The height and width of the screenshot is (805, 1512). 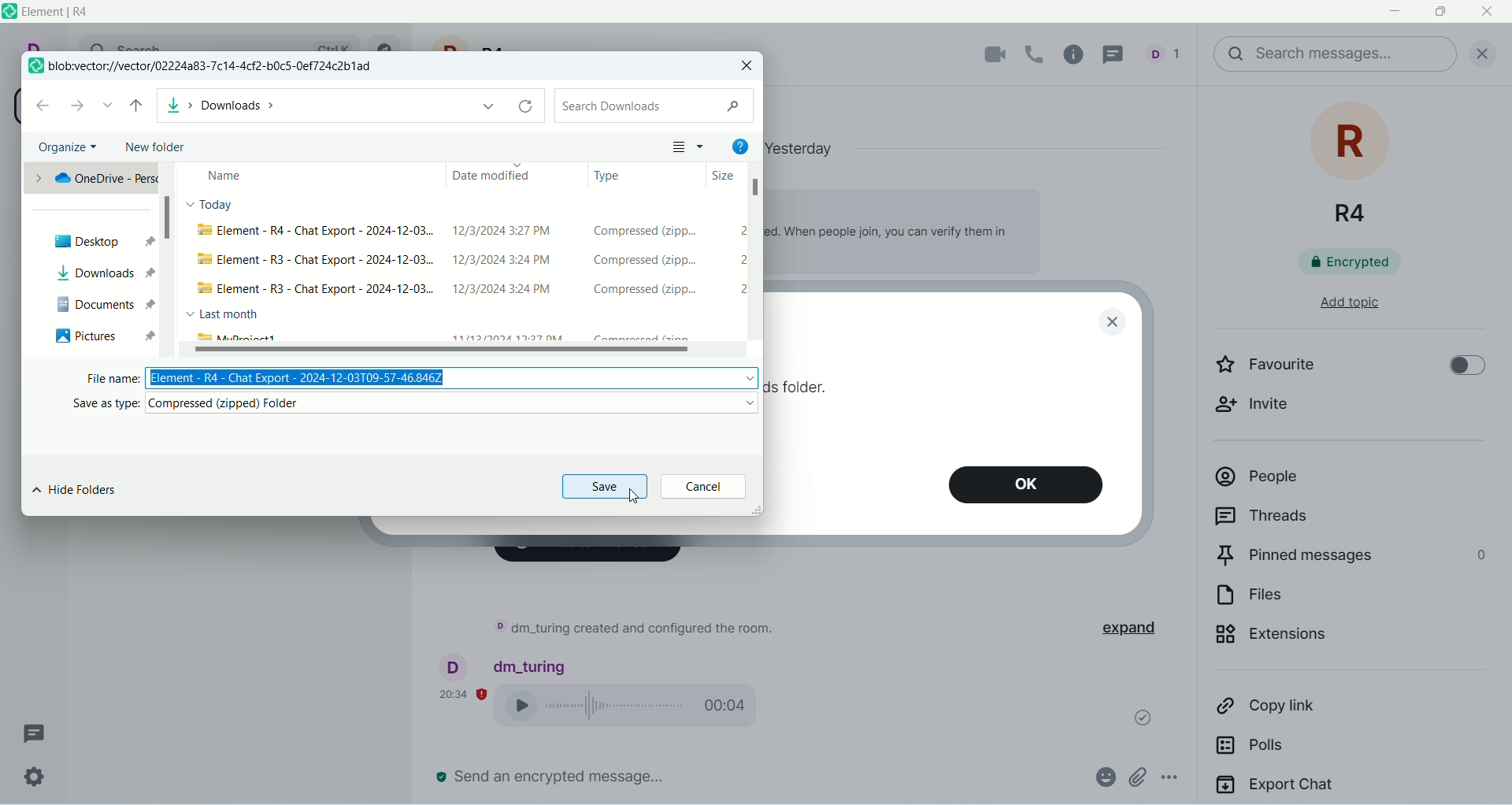 I want to click on favourite, so click(x=1287, y=369).